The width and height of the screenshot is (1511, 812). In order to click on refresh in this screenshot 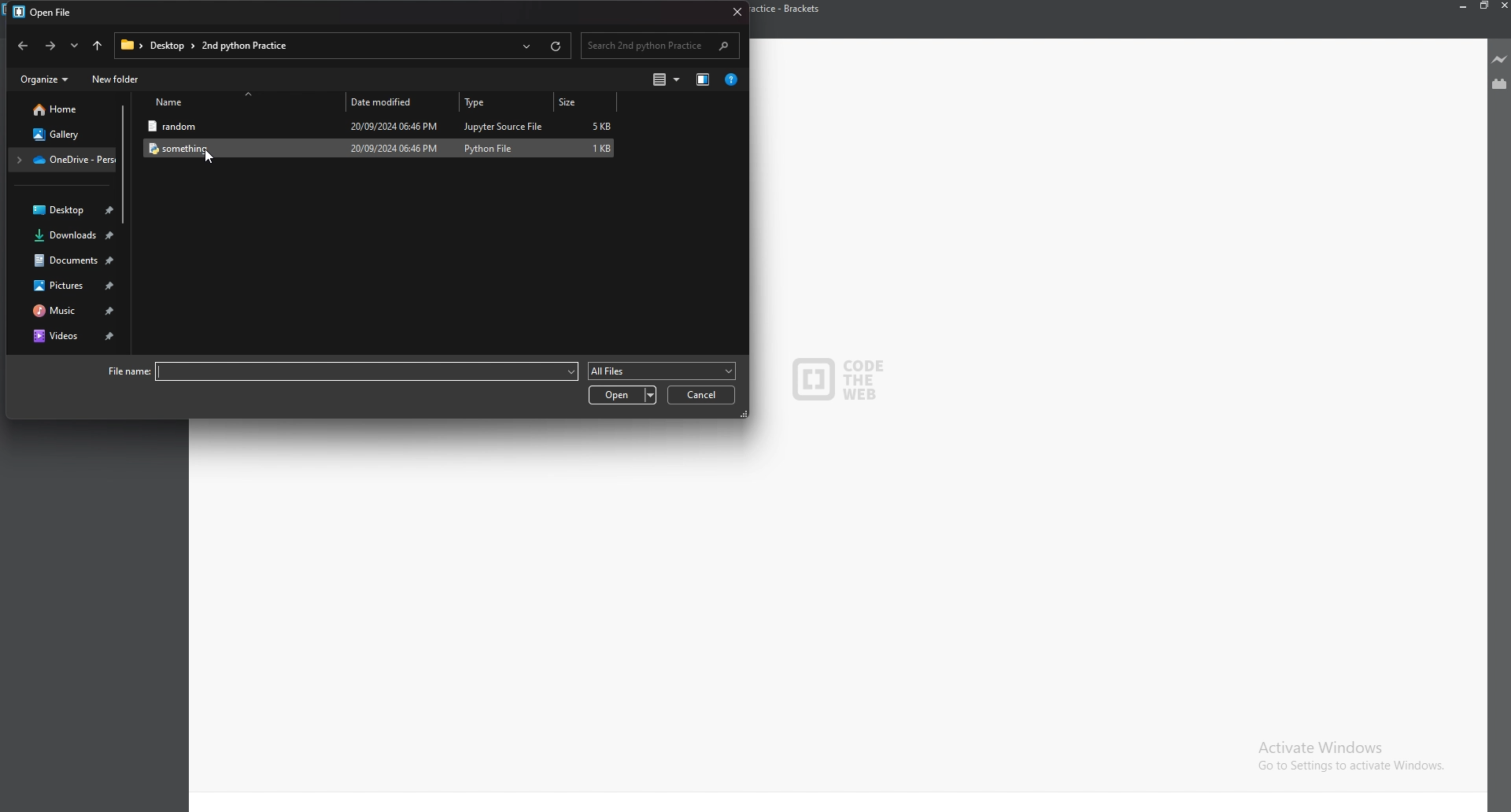, I will do `click(556, 46)`.